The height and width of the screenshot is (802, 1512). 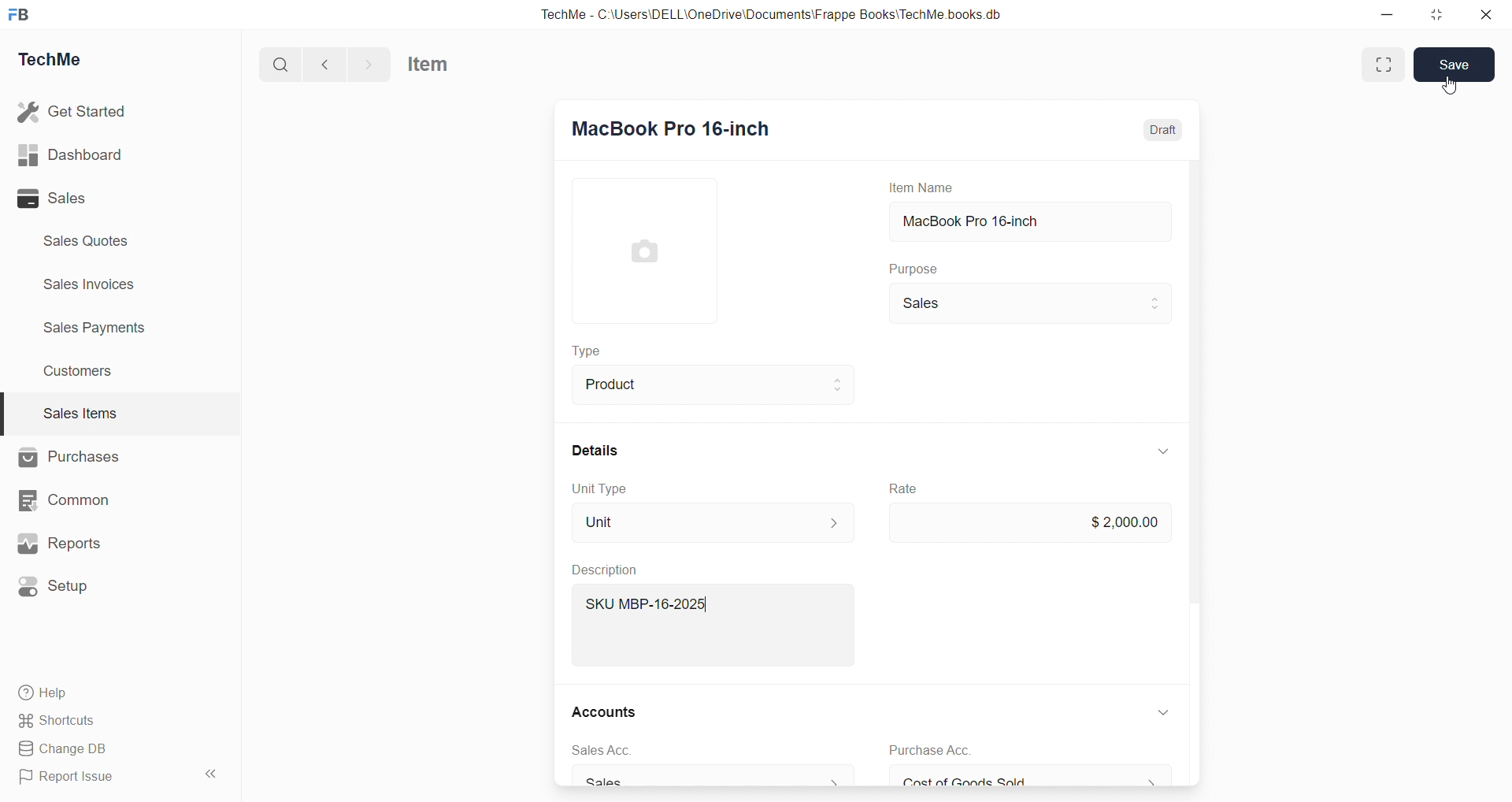 What do you see at coordinates (671, 125) in the screenshot?
I see `MacBook Pro 16-inch` at bounding box center [671, 125].